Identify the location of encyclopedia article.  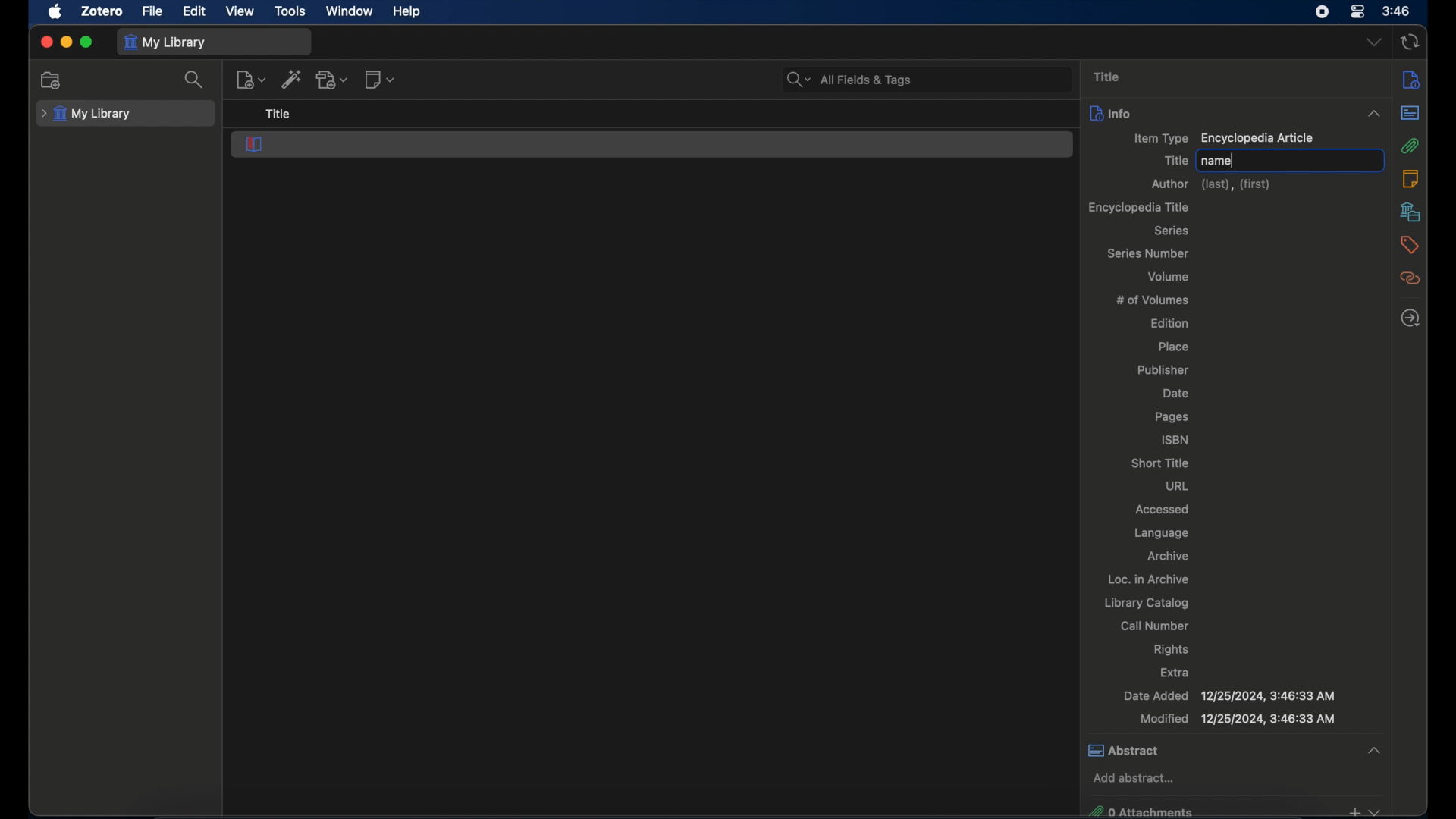
(254, 144).